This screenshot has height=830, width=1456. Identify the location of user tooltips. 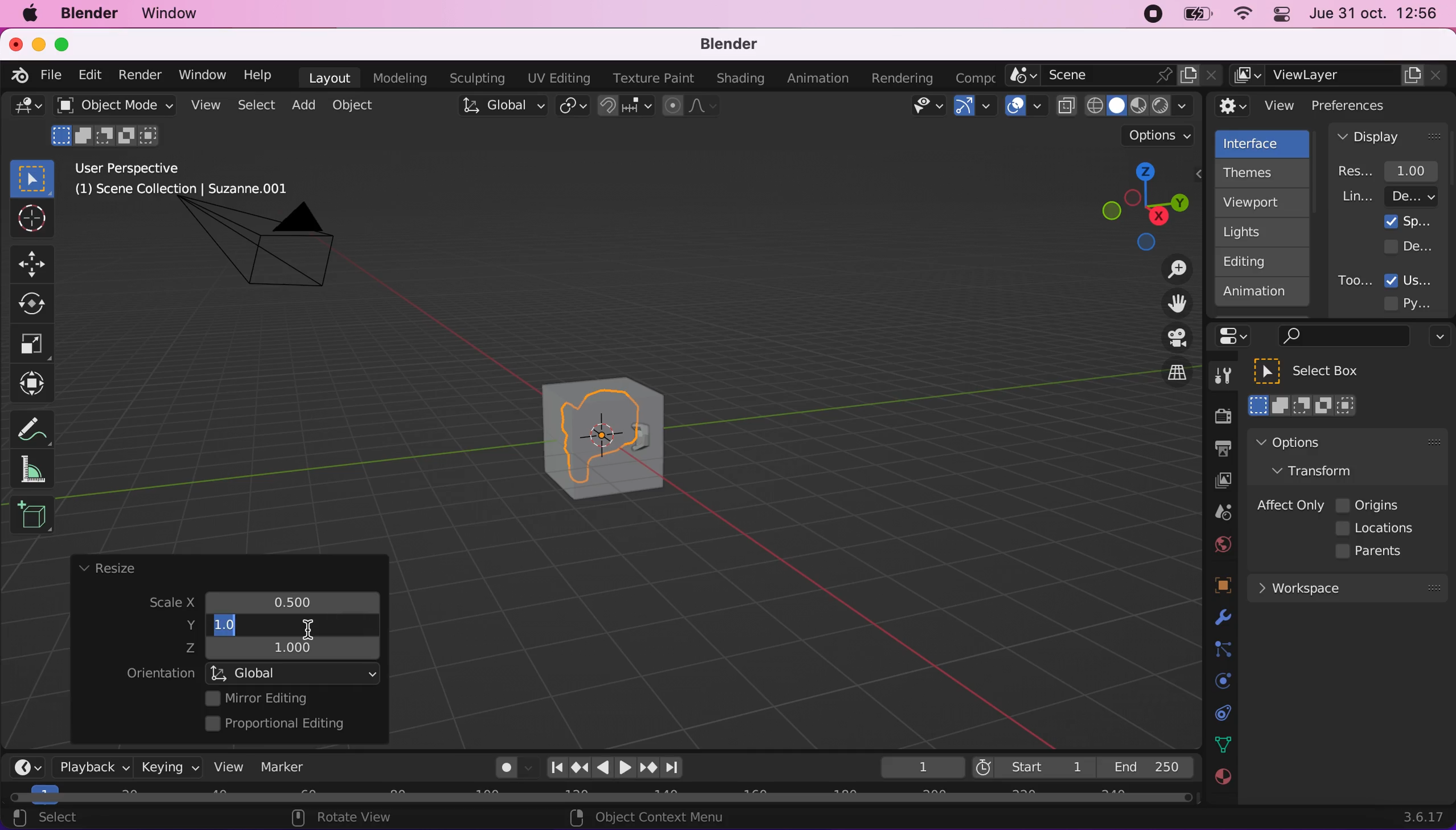
(1418, 279).